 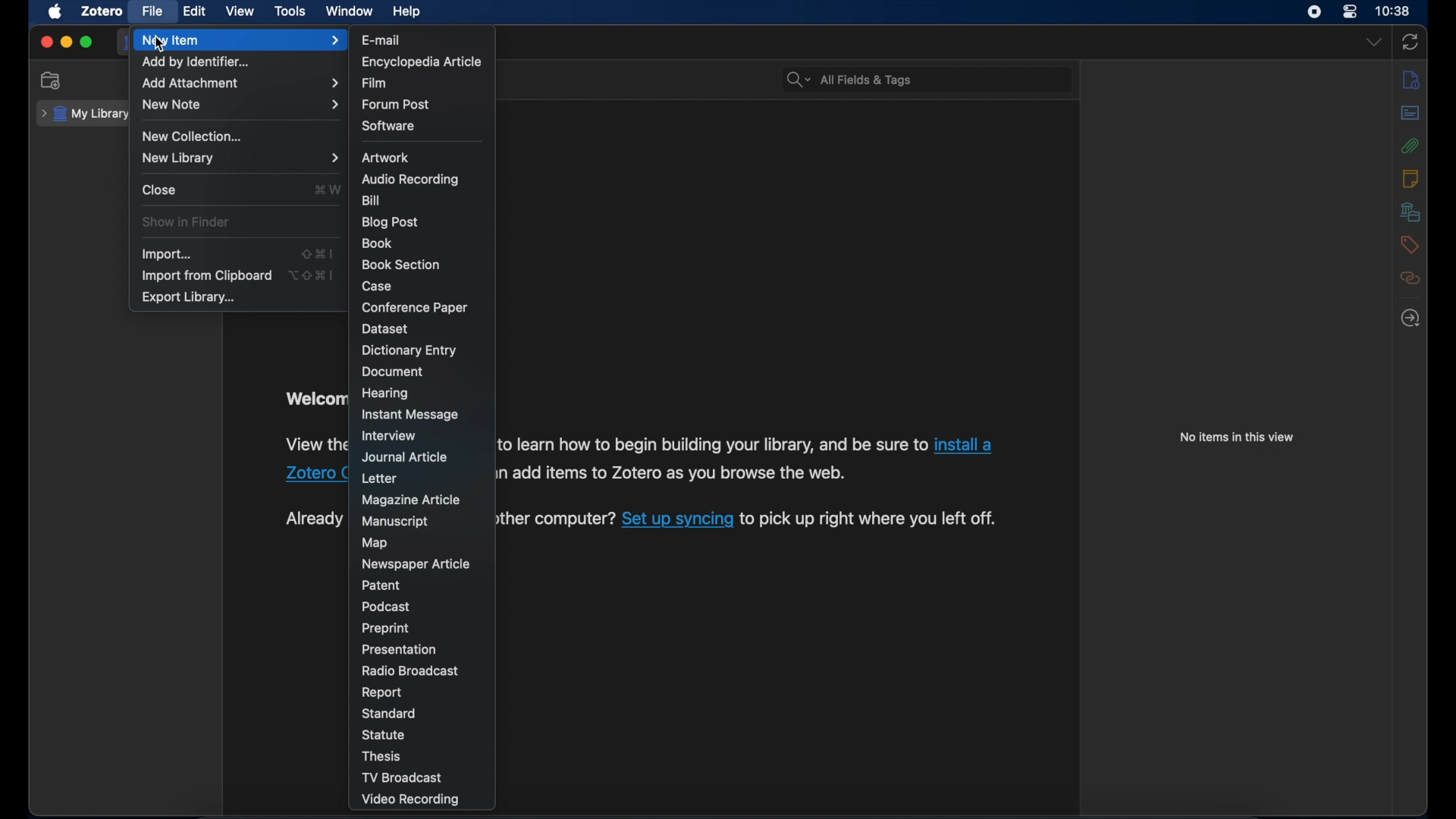 I want to click on manuscript, so click(x=395, y=522).